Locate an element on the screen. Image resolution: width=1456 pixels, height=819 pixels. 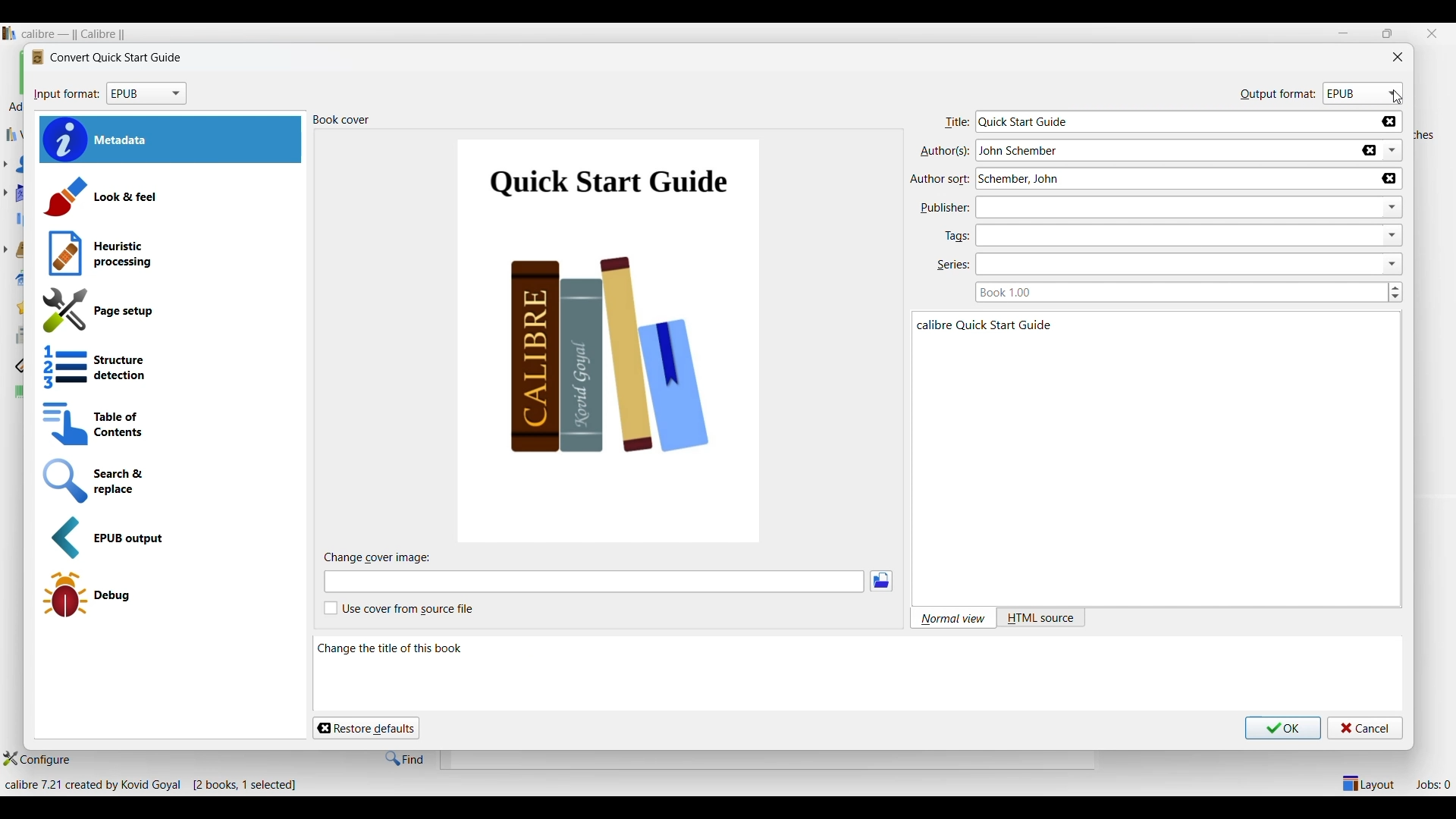
Page setup is located at coordinates (168, 311).